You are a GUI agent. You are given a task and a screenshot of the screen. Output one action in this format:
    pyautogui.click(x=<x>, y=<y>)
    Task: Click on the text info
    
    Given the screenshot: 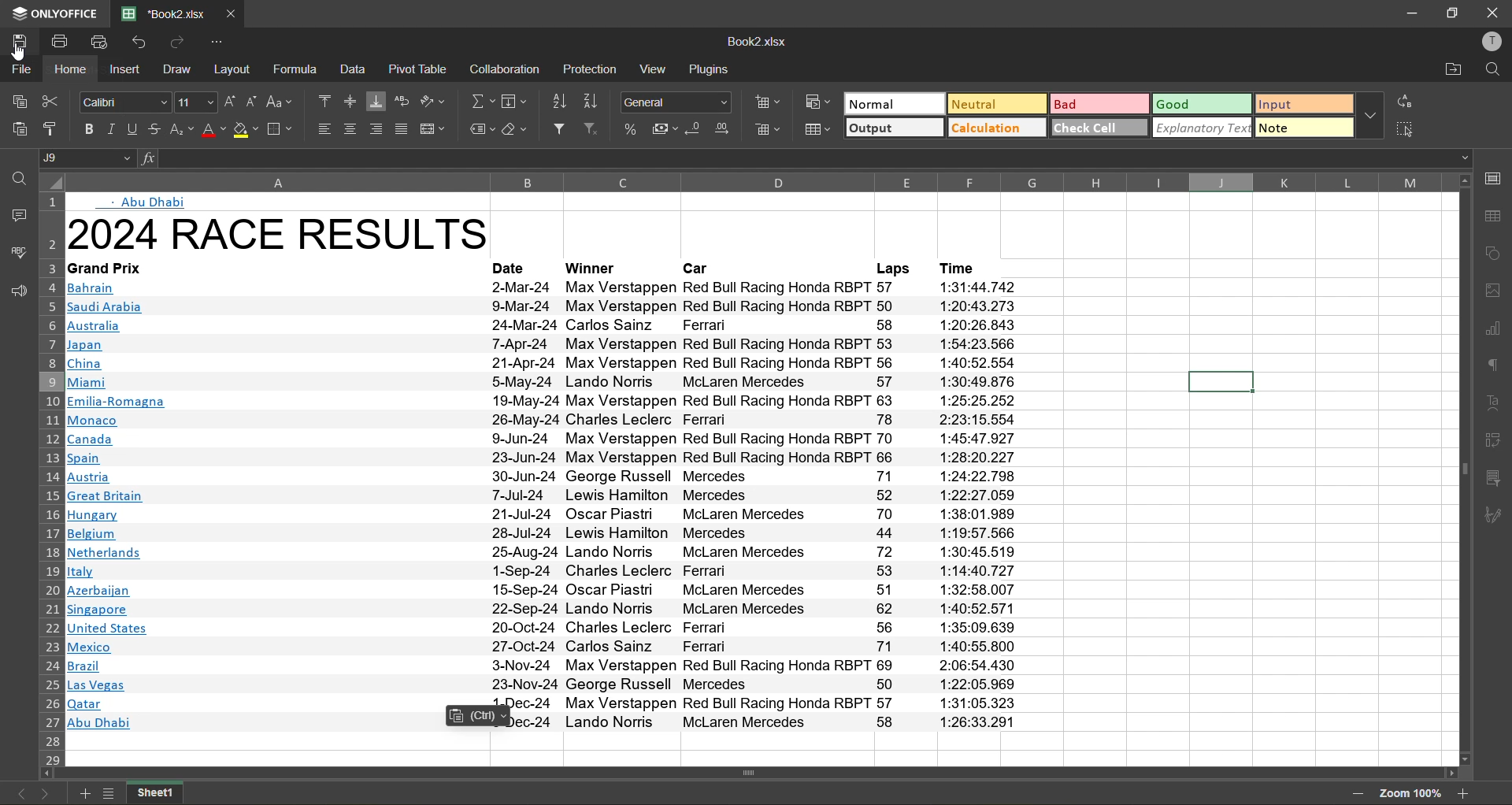 What is the action you would take?
    pyautogui.click(x=549, y=629)
    